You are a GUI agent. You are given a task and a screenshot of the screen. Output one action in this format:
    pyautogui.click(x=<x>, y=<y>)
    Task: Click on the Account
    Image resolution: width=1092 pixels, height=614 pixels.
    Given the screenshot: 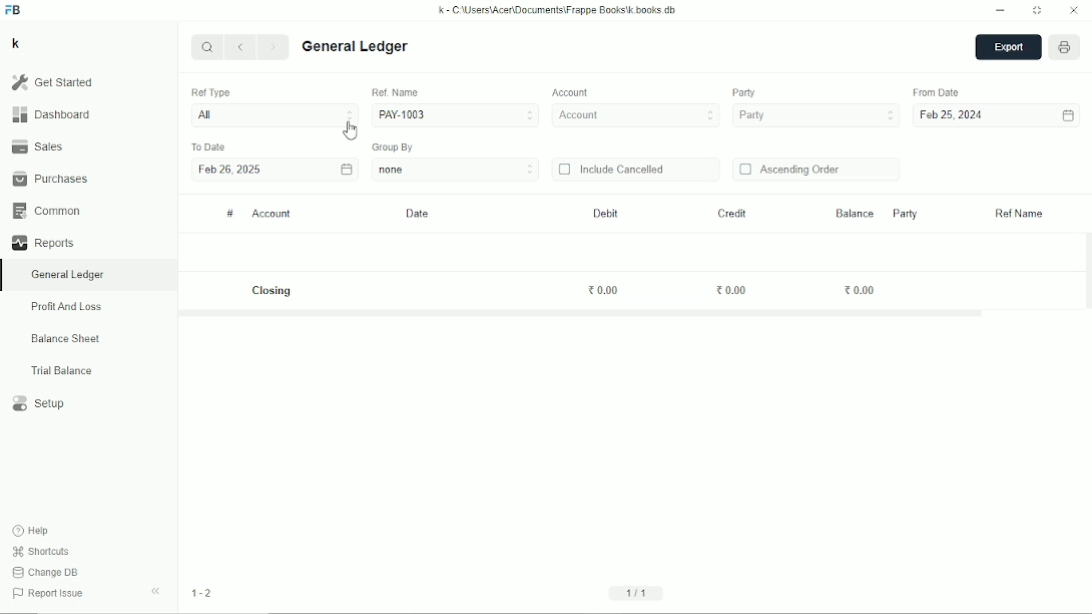 What is the action you would take?
    pyautogui.click(x=637, y=116)
    